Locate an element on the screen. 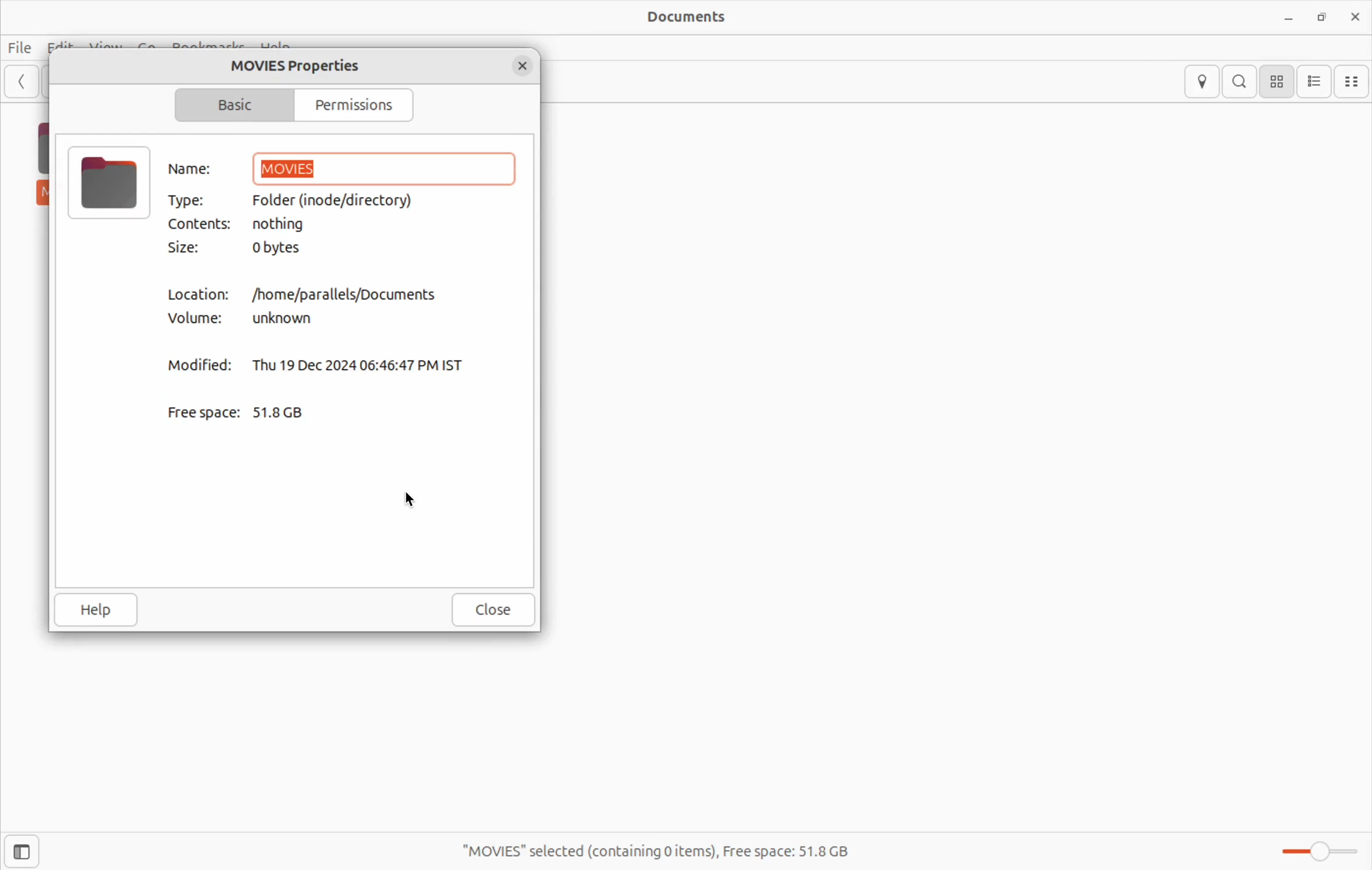 The image size is (1372, 870). Locations: is located at coordinates (198, 295).